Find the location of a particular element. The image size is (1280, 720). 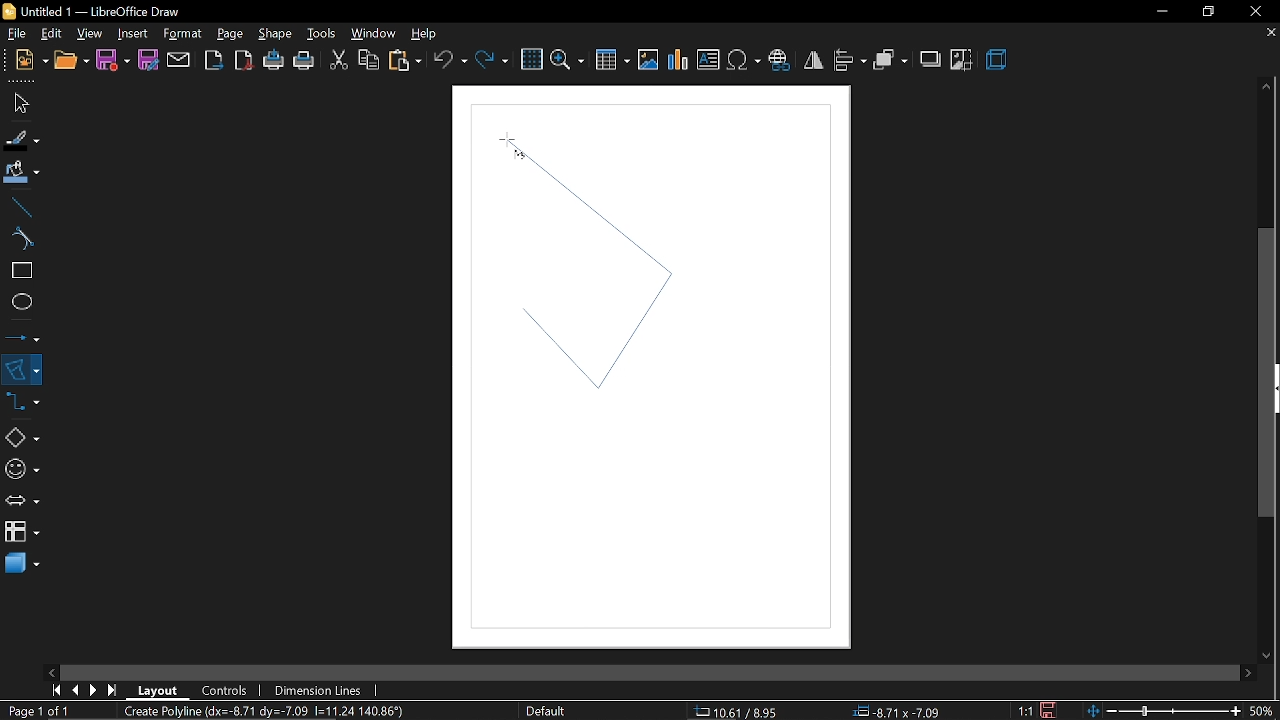

crop is located at coordinates (961, 60).